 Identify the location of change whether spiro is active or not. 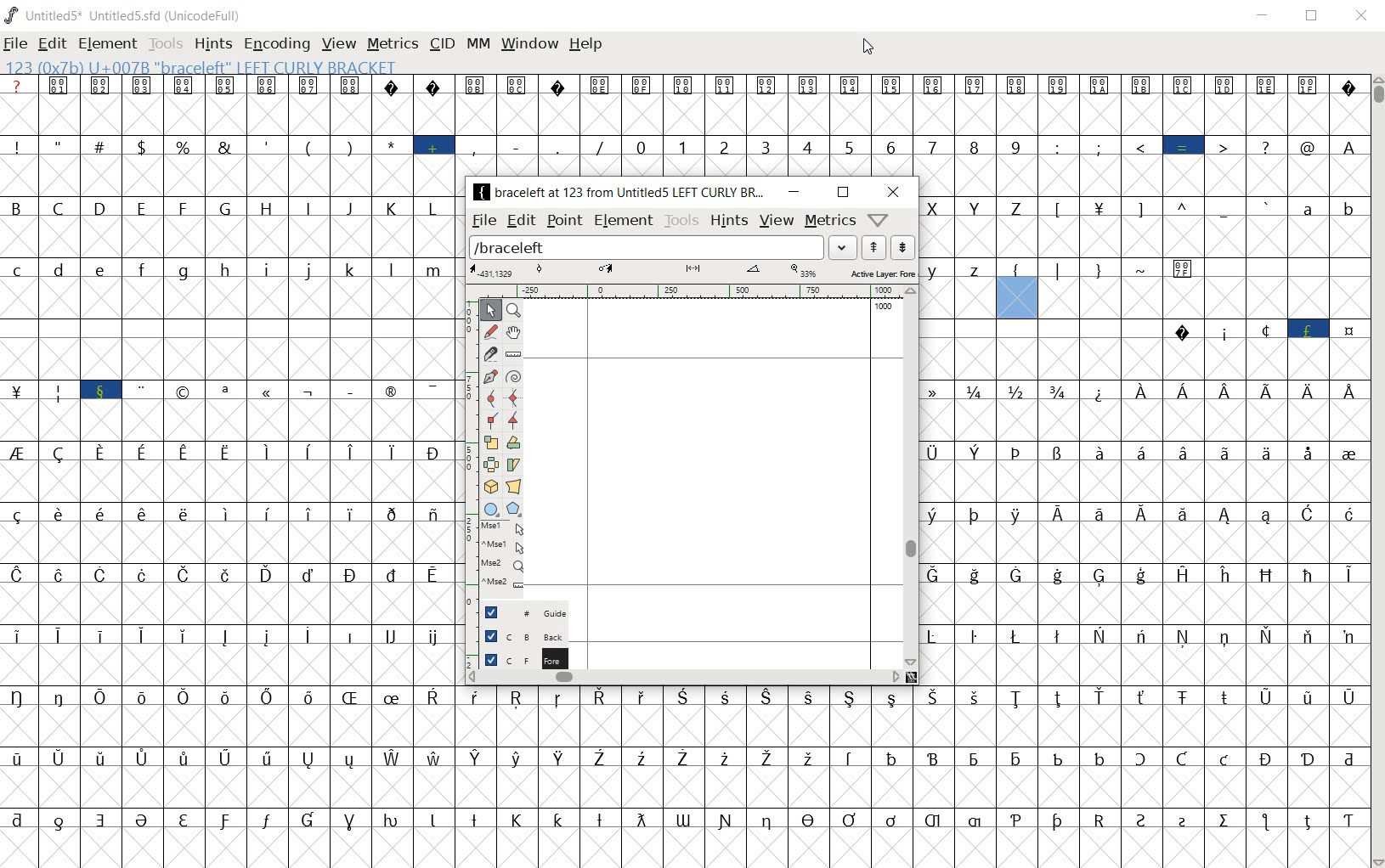
(514, 375).